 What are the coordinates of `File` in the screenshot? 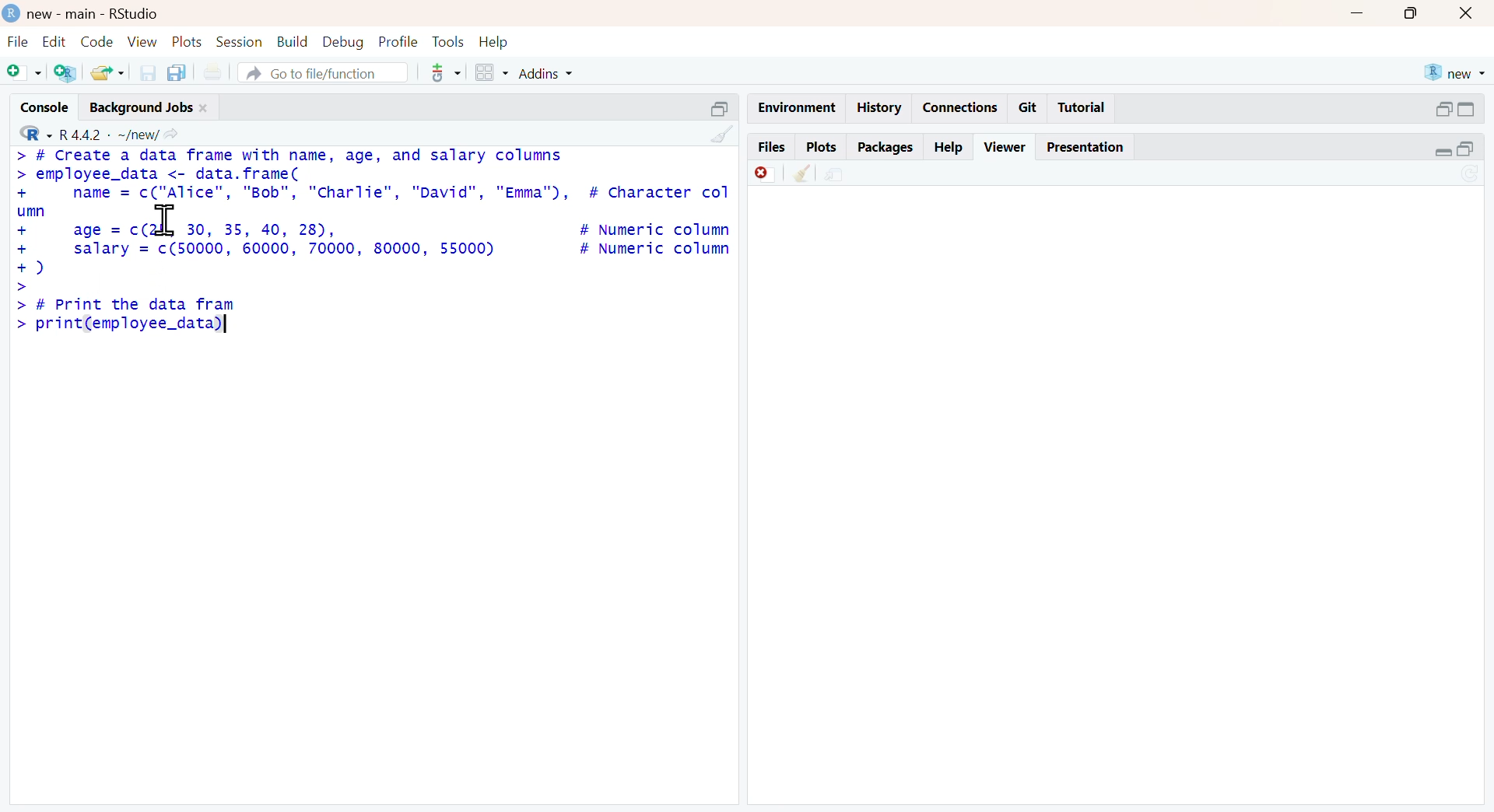 It's located at (16, 41).